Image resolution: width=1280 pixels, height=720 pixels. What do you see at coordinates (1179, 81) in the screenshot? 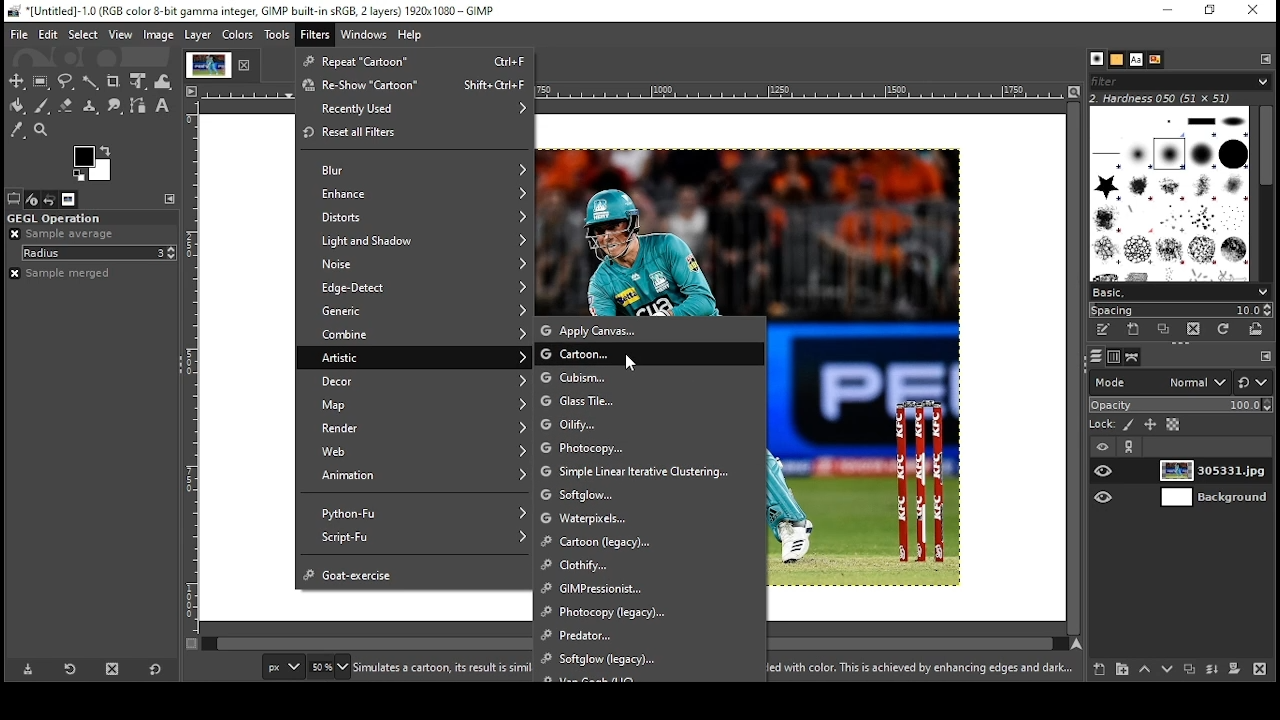
I see `brushes` at bounding box center [1179, 81].